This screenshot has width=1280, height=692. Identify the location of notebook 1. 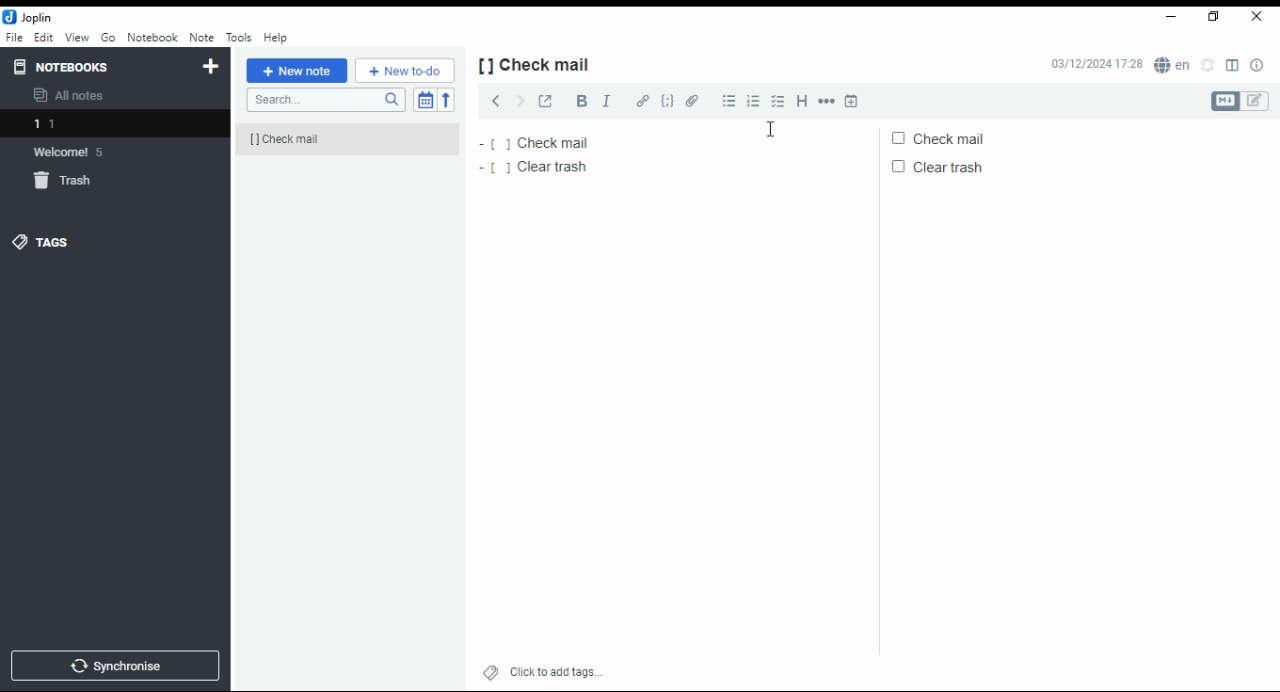
(84, 123).